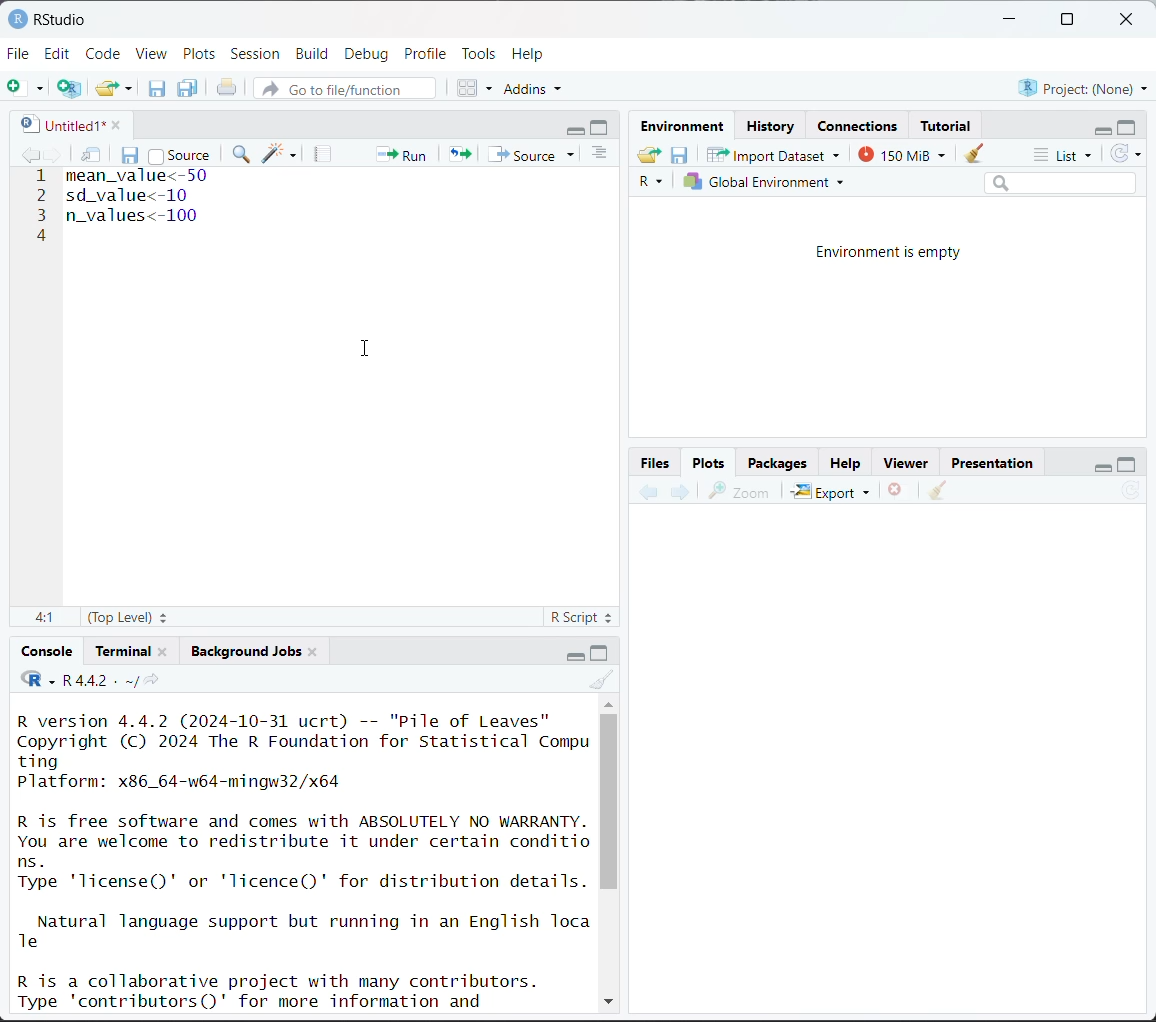 The width and height of the screenshot is (1156, 1022). I want to click on print the current file, so click(228, 88).